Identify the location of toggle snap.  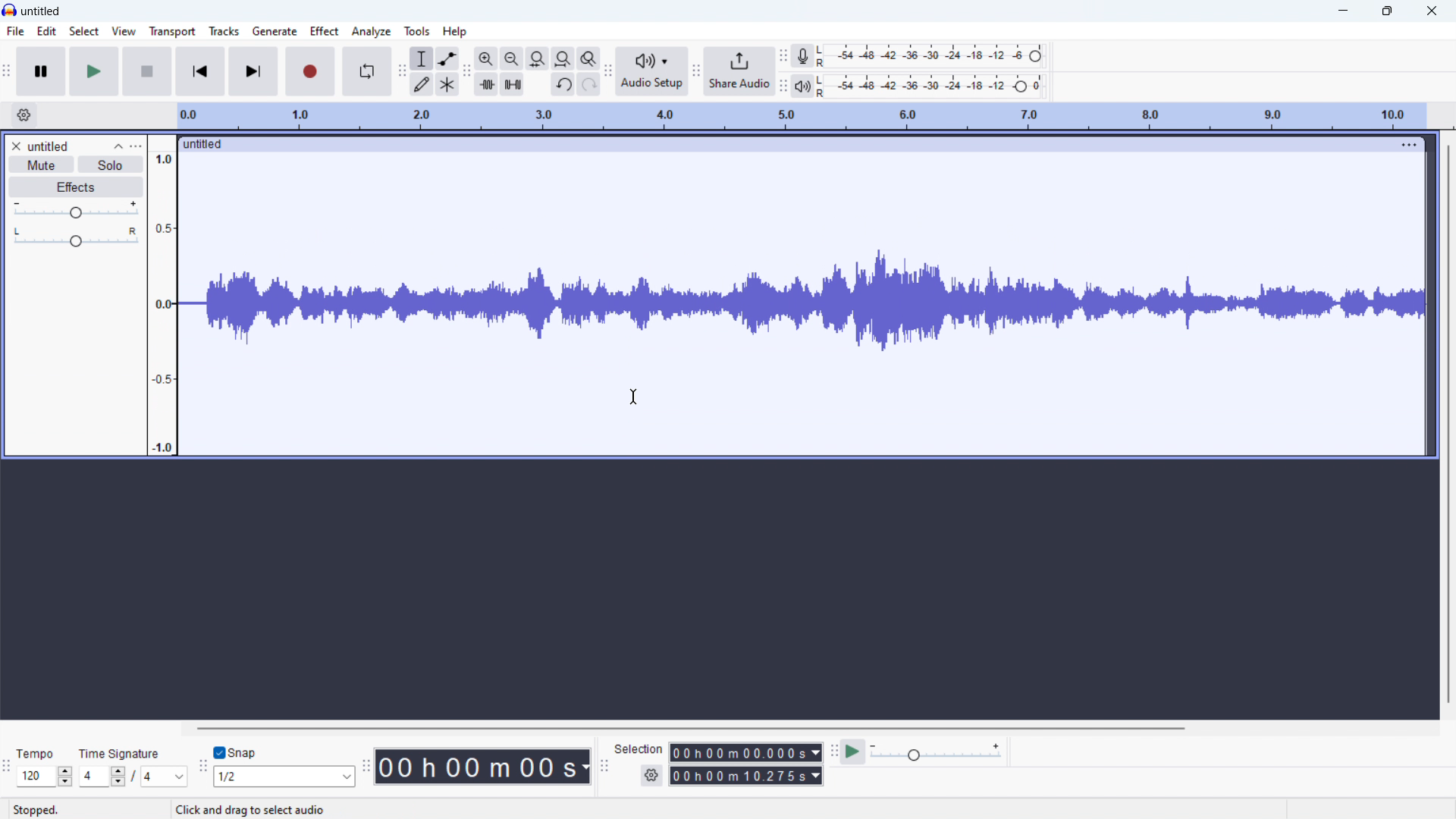
(235, 752).